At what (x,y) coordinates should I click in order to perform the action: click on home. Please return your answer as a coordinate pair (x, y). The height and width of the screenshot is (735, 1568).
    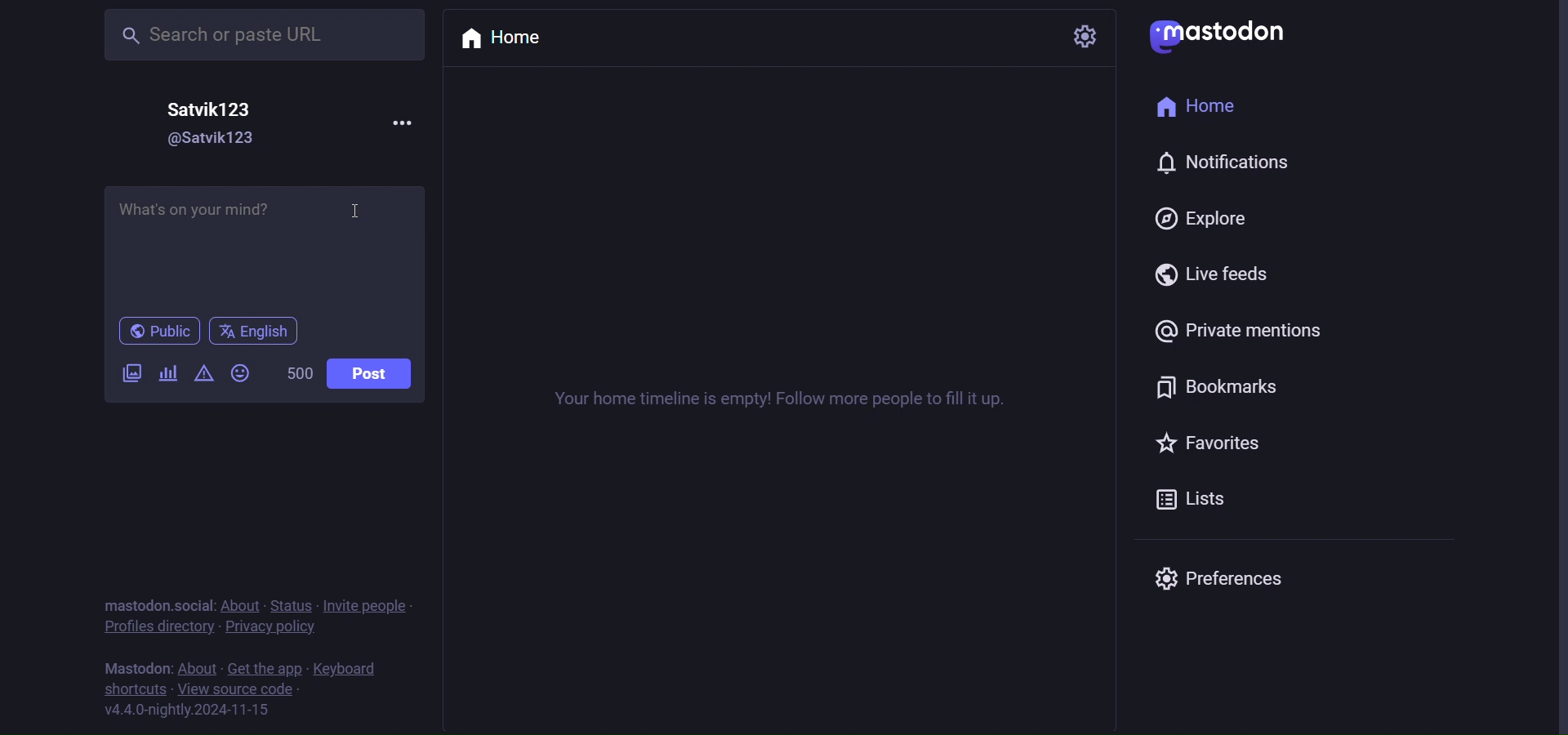
    Looking at the image, I should click on (1205, 110).